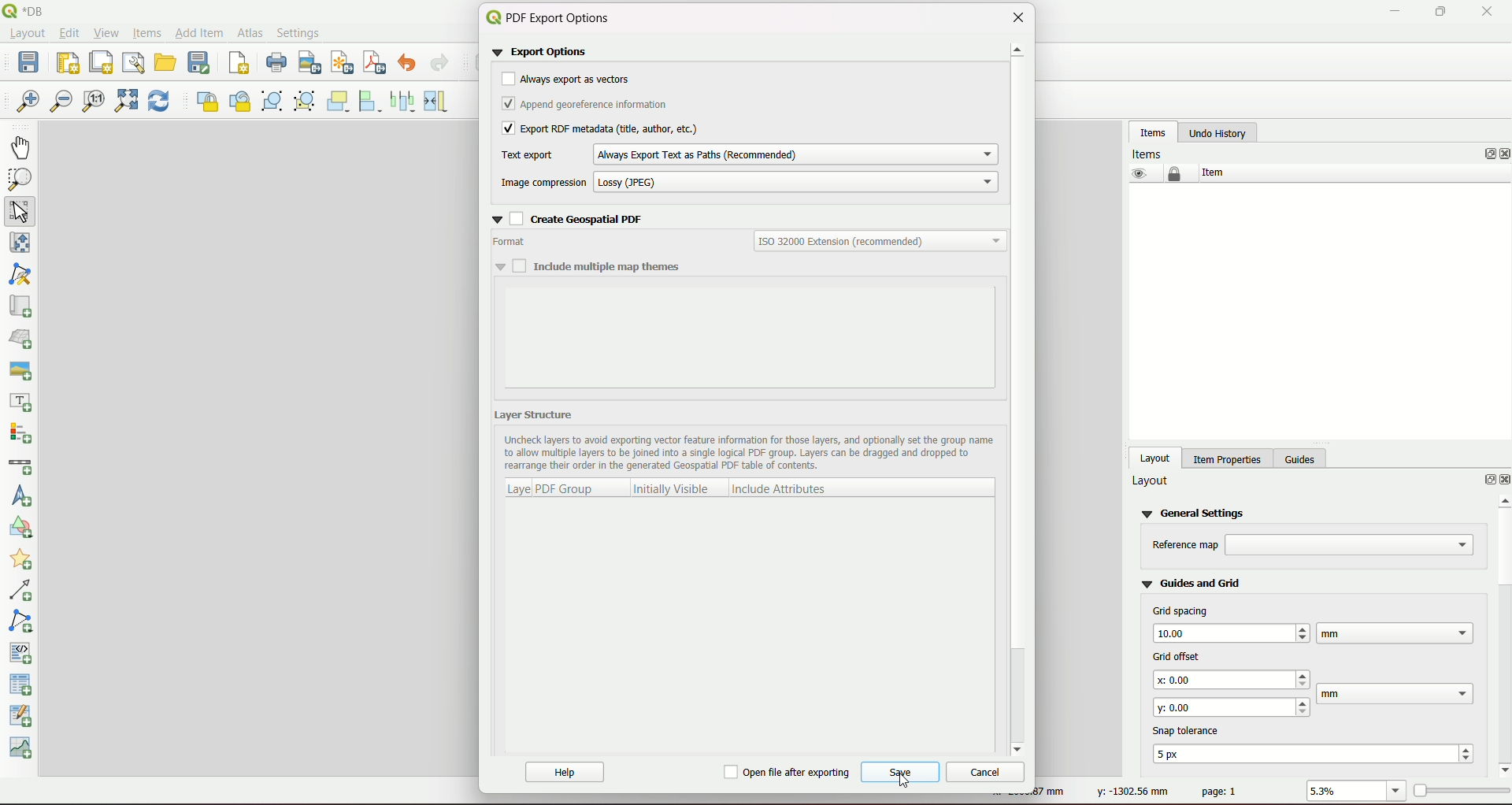 The image size is (1512, 805). Describe the element at coordinates (1129, 792) in the screenshot. I see `y:-1302.56 mm` at that location.